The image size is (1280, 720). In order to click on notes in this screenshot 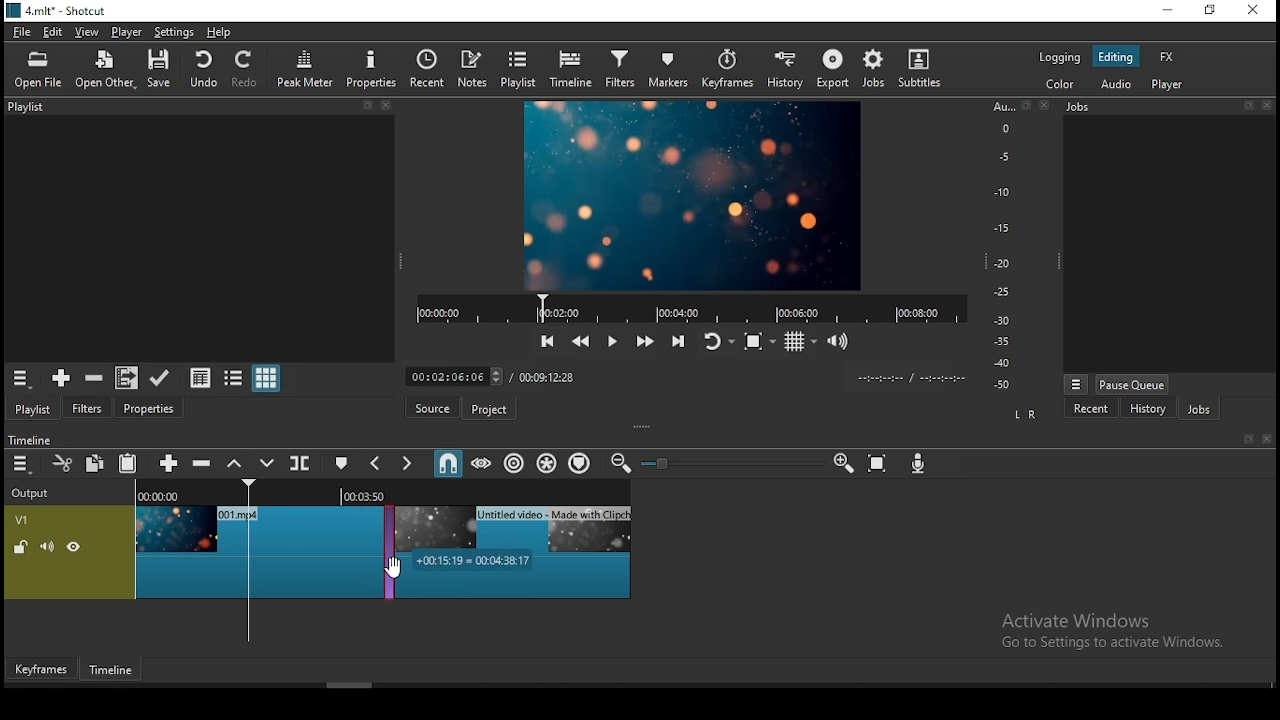, I will do `click(473, 68)`.